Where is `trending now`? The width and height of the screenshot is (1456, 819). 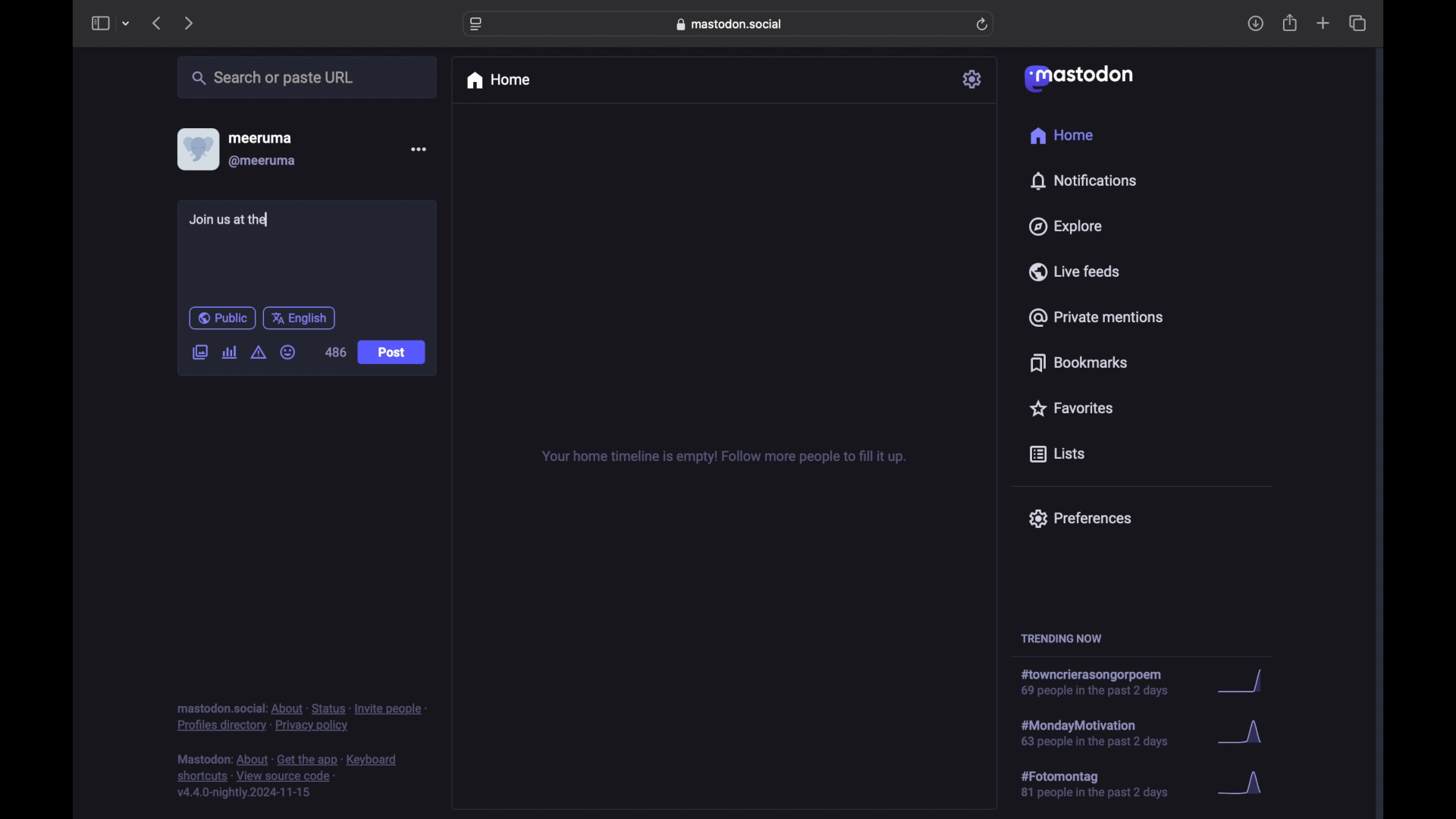 trending now is located at coordinates (1061, 639).